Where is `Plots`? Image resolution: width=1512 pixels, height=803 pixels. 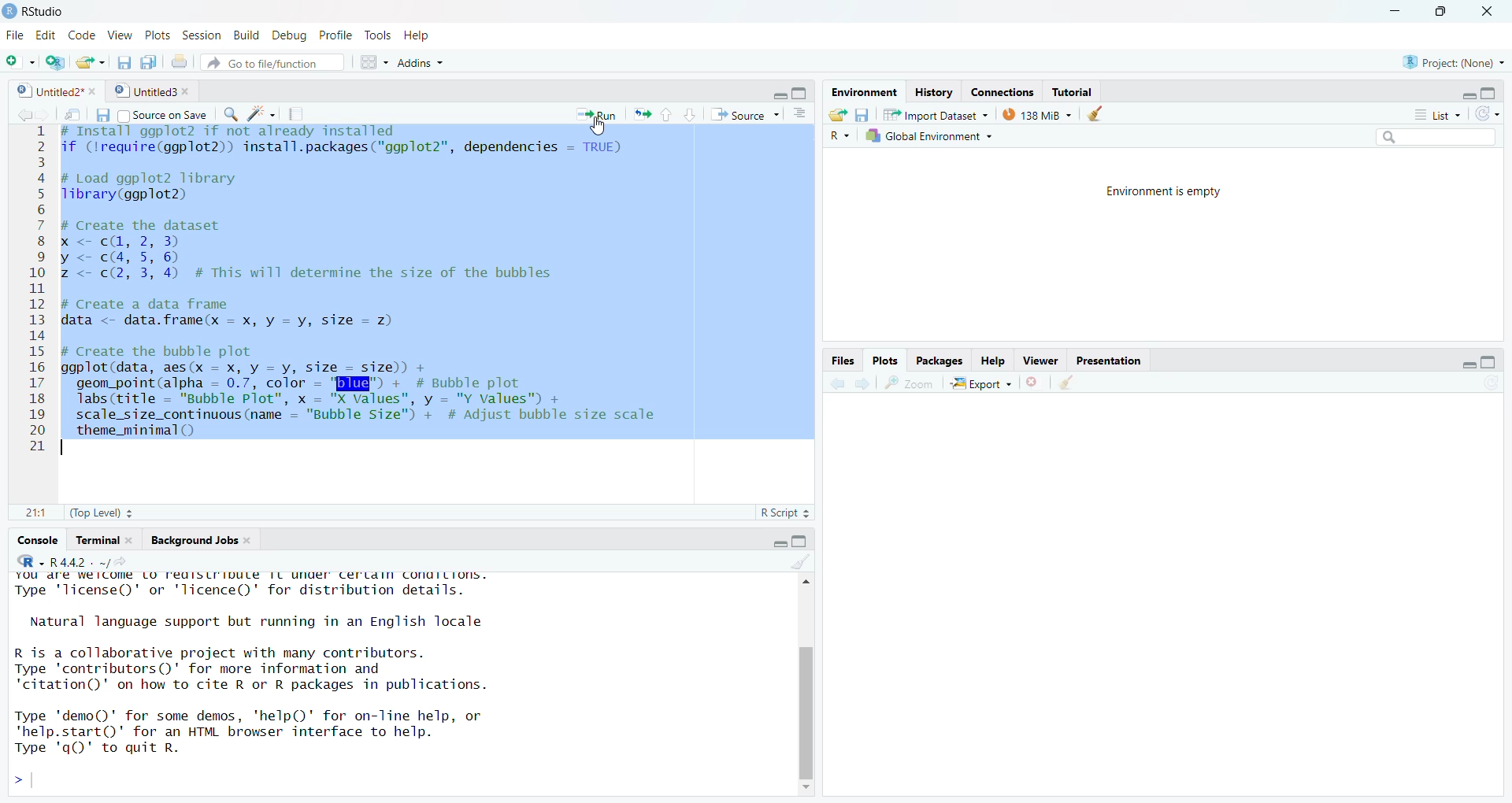 Plots is located at coordinates (886, 358).